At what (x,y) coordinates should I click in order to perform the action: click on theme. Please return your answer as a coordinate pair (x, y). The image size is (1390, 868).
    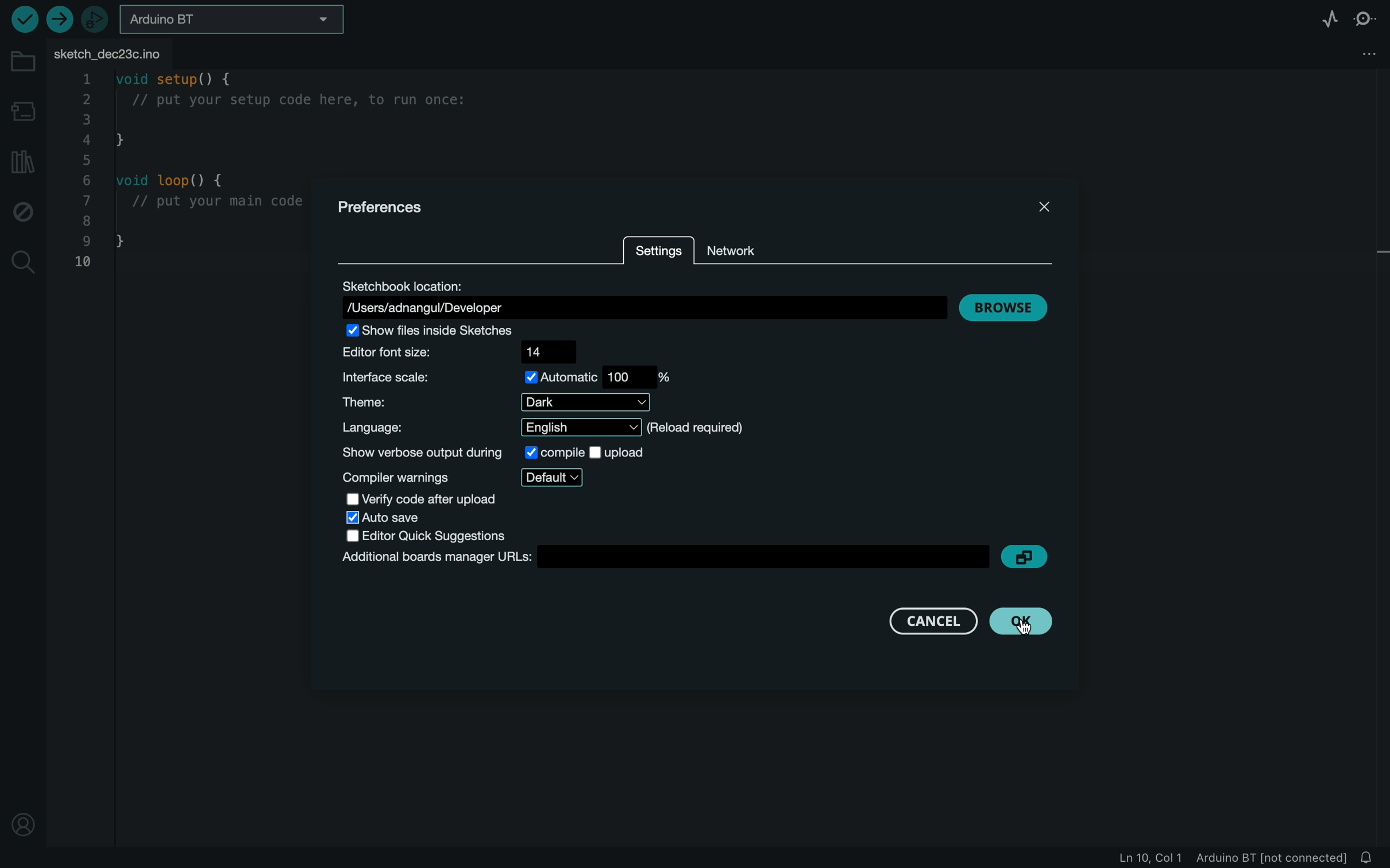
    Looking at the image, I should click on (506, 401).